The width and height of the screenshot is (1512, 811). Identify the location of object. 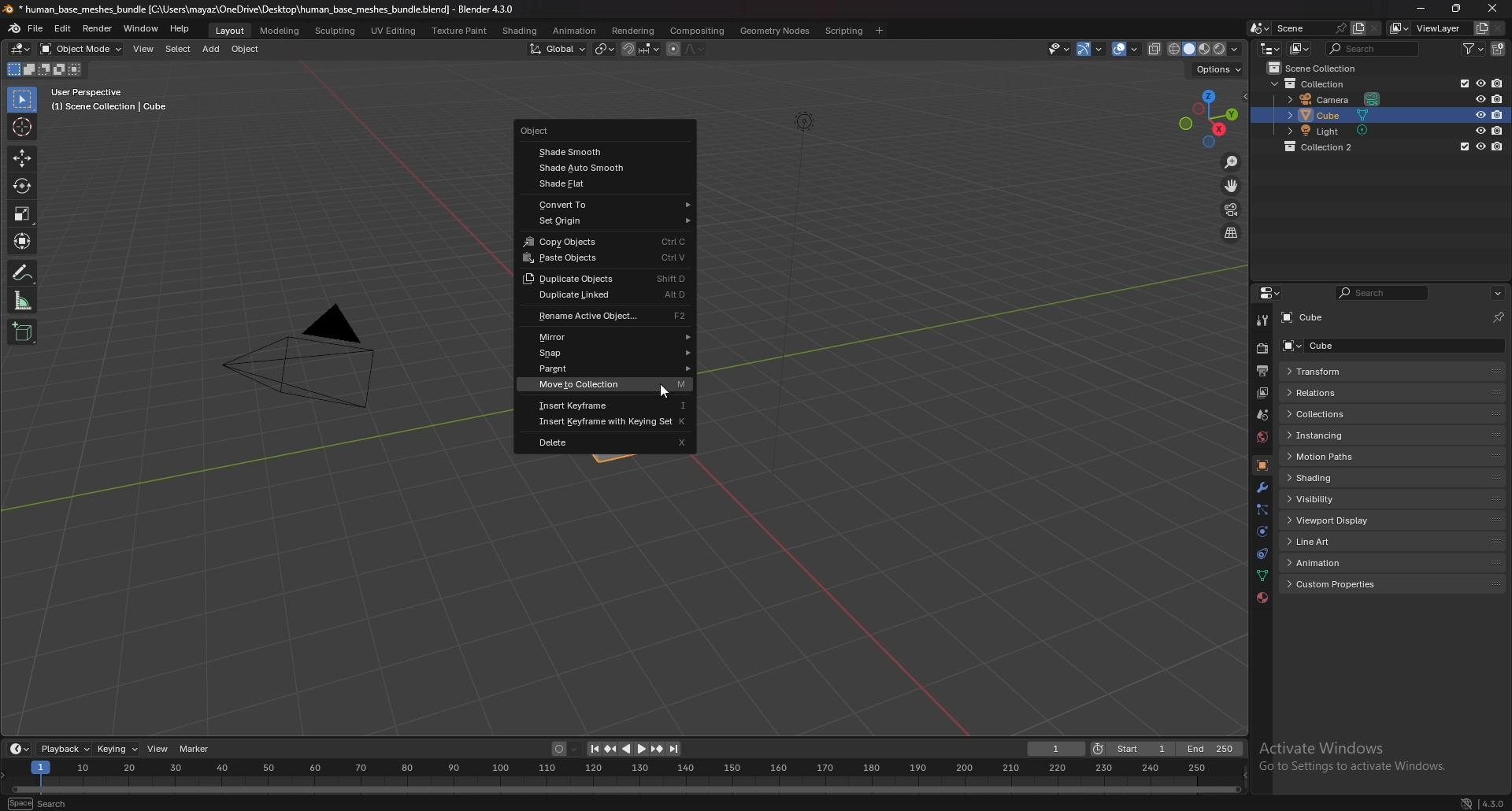
(246, 49).